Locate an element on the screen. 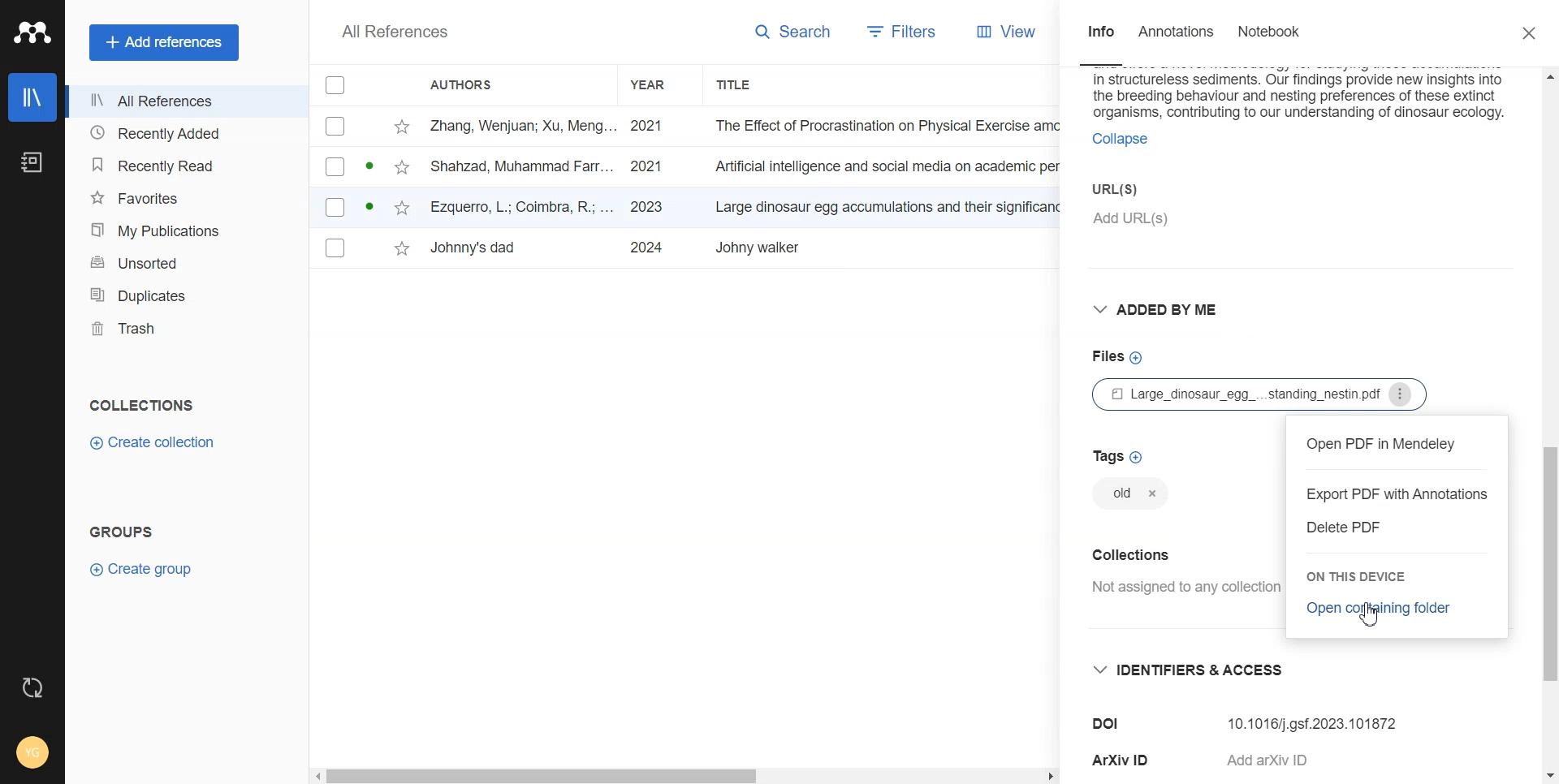 The image size is (1559, 784). 2024 is located at coordinates (645, 247).